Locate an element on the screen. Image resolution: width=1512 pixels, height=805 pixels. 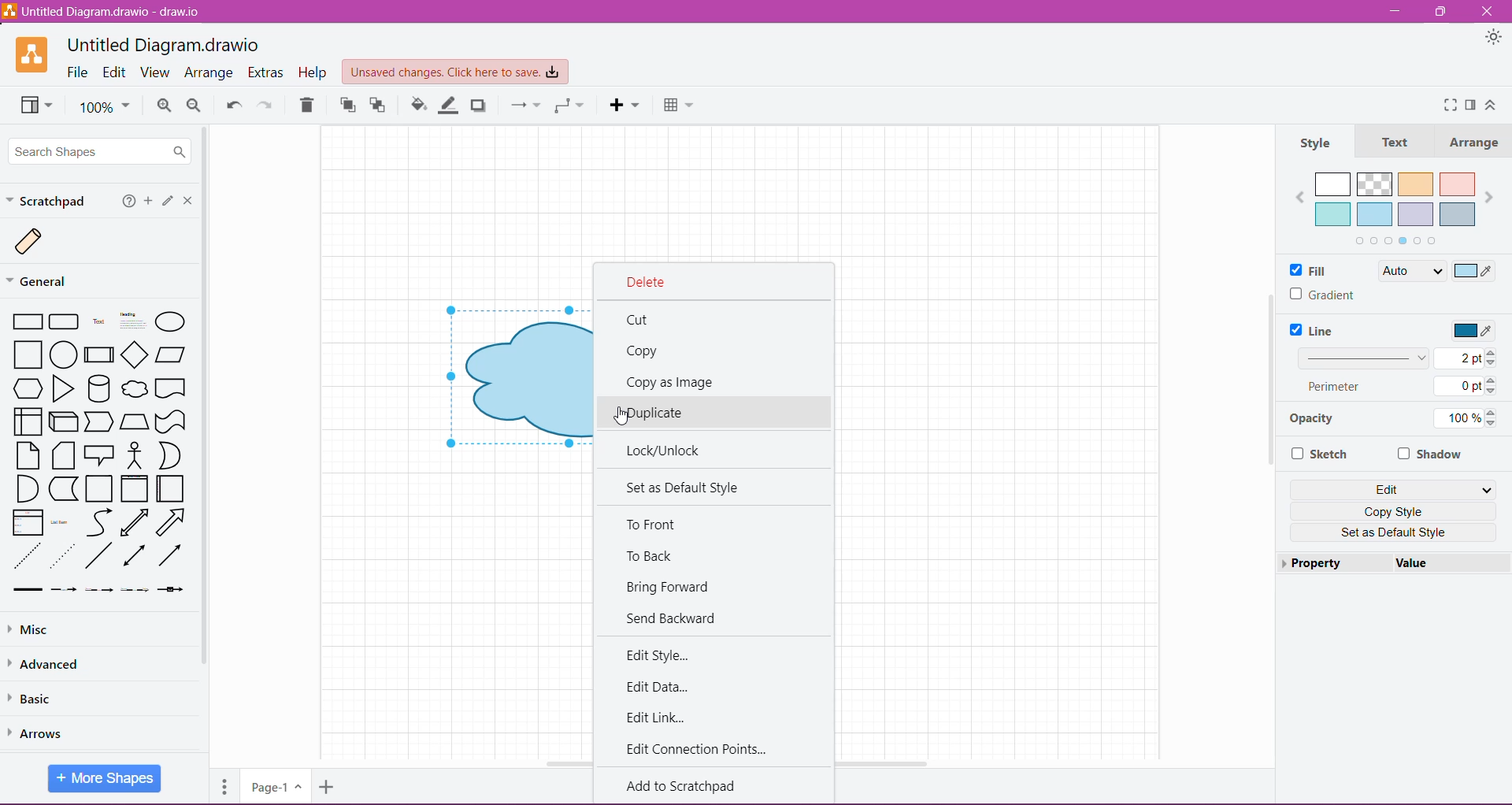
Cut is located at coordinates (641, 321).